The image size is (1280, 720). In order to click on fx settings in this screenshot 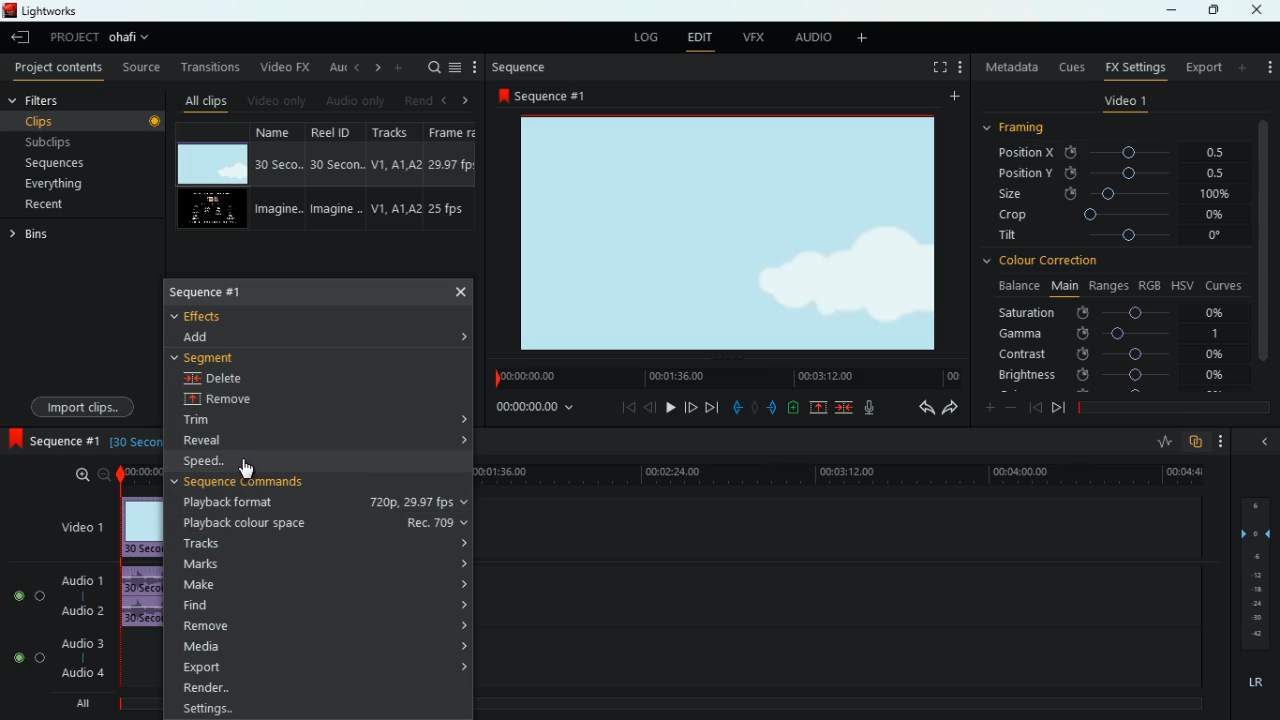, I will do `click(1133, 67)`.